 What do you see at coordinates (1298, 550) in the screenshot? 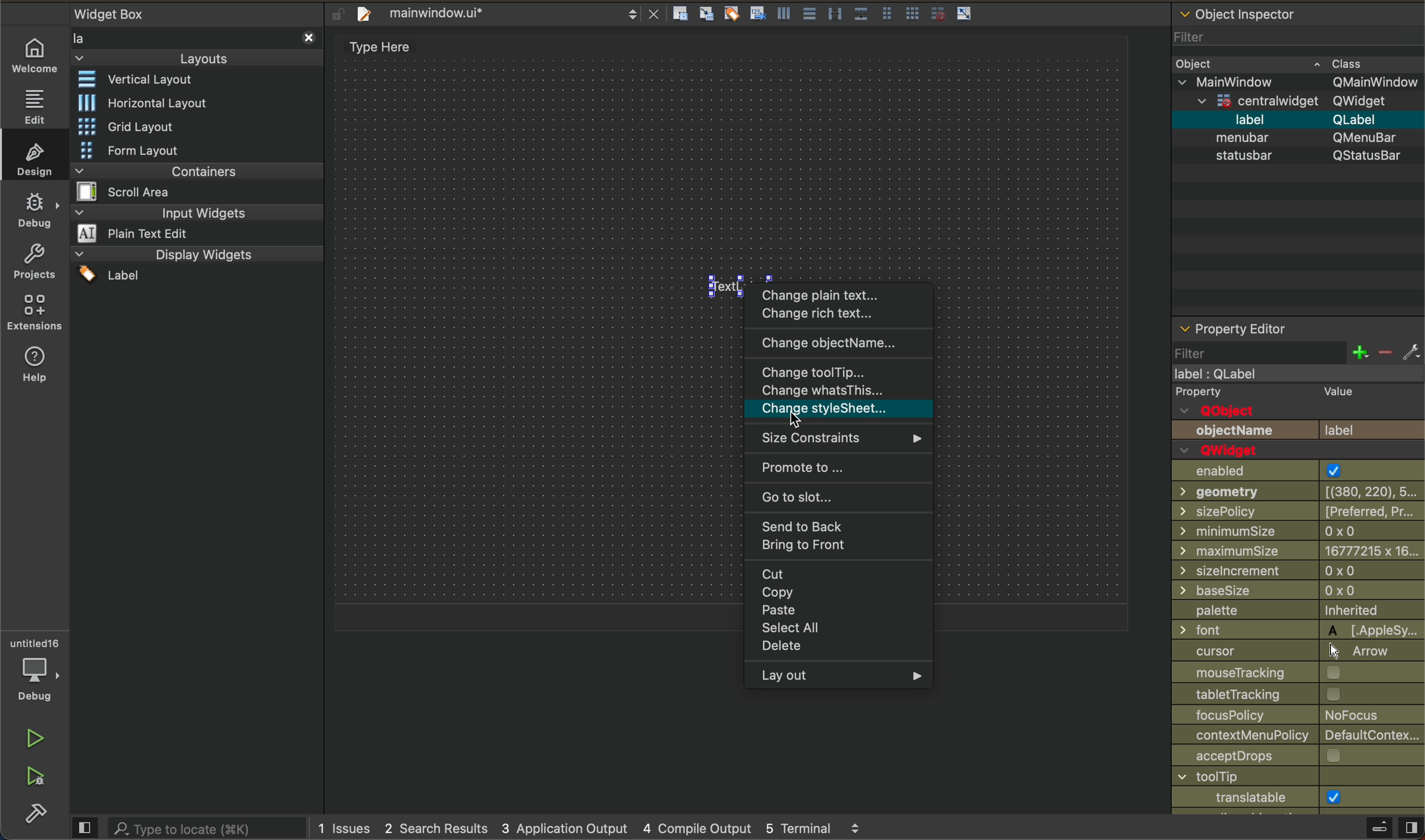
I see `min size` at bounding box center [1298, 550].